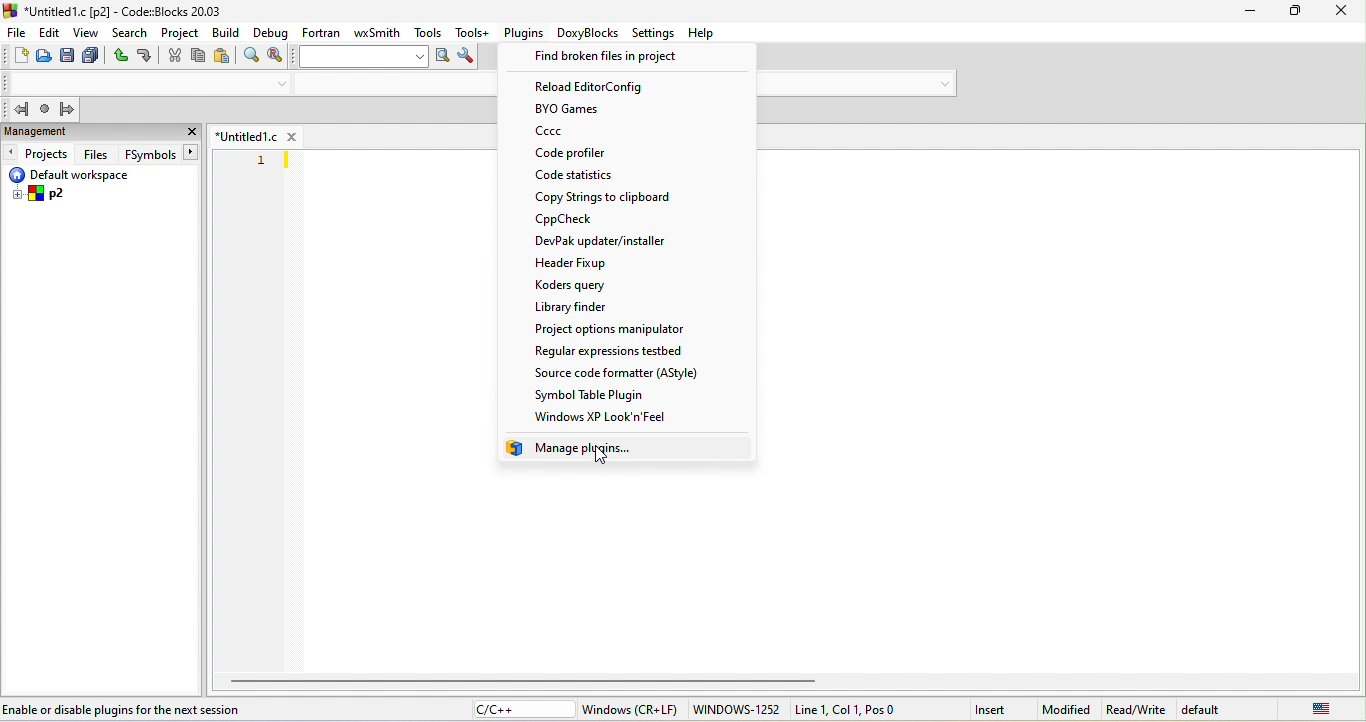 The width and height of the screenshot is (1366, 722). I want to click on build, so click(227, 32).